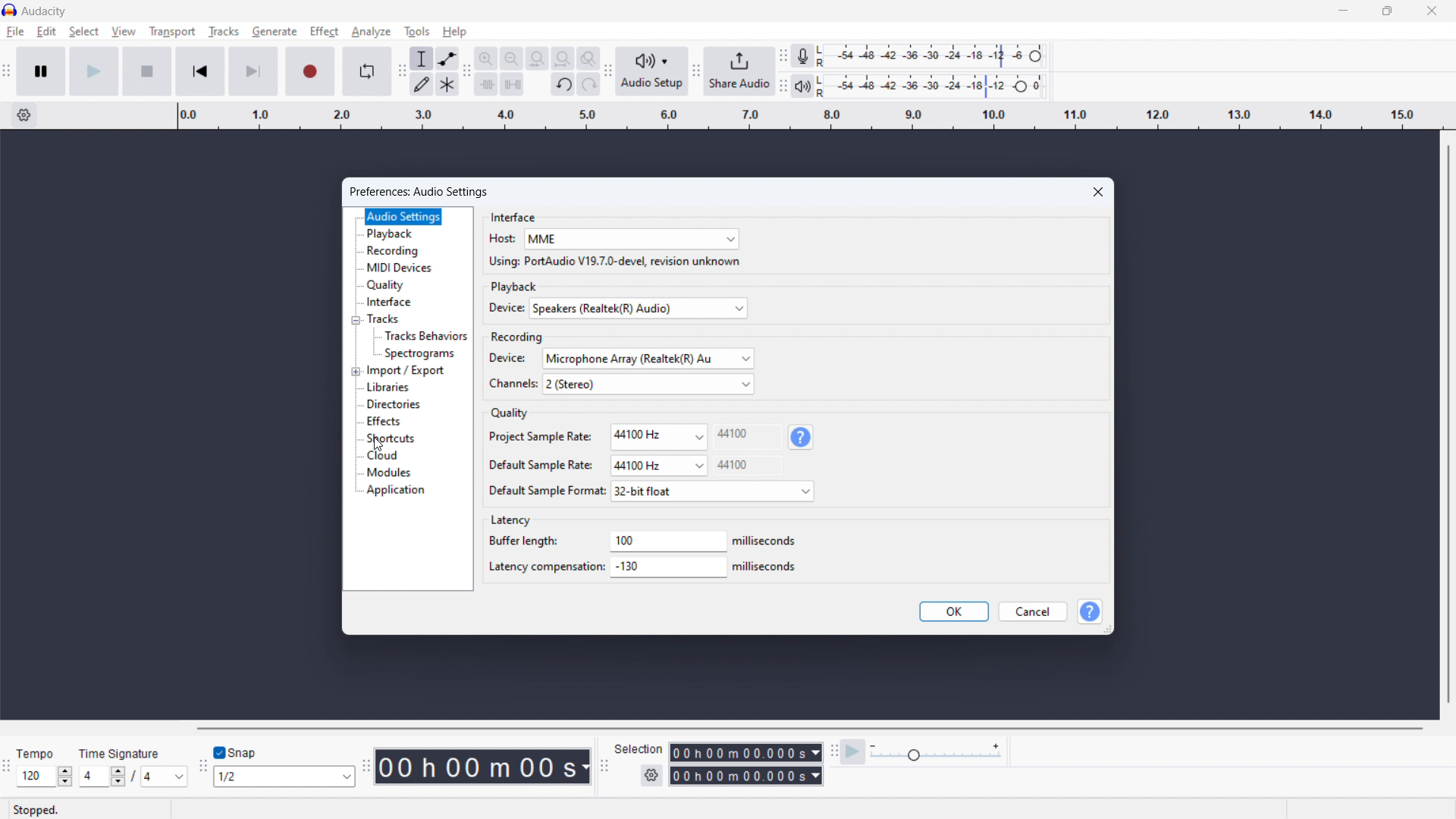 The height and width of the screenshot is (819, 1456). Describe the element at coordinates (507, 358) in the screenshot. I see `Indicate device options` at that location.